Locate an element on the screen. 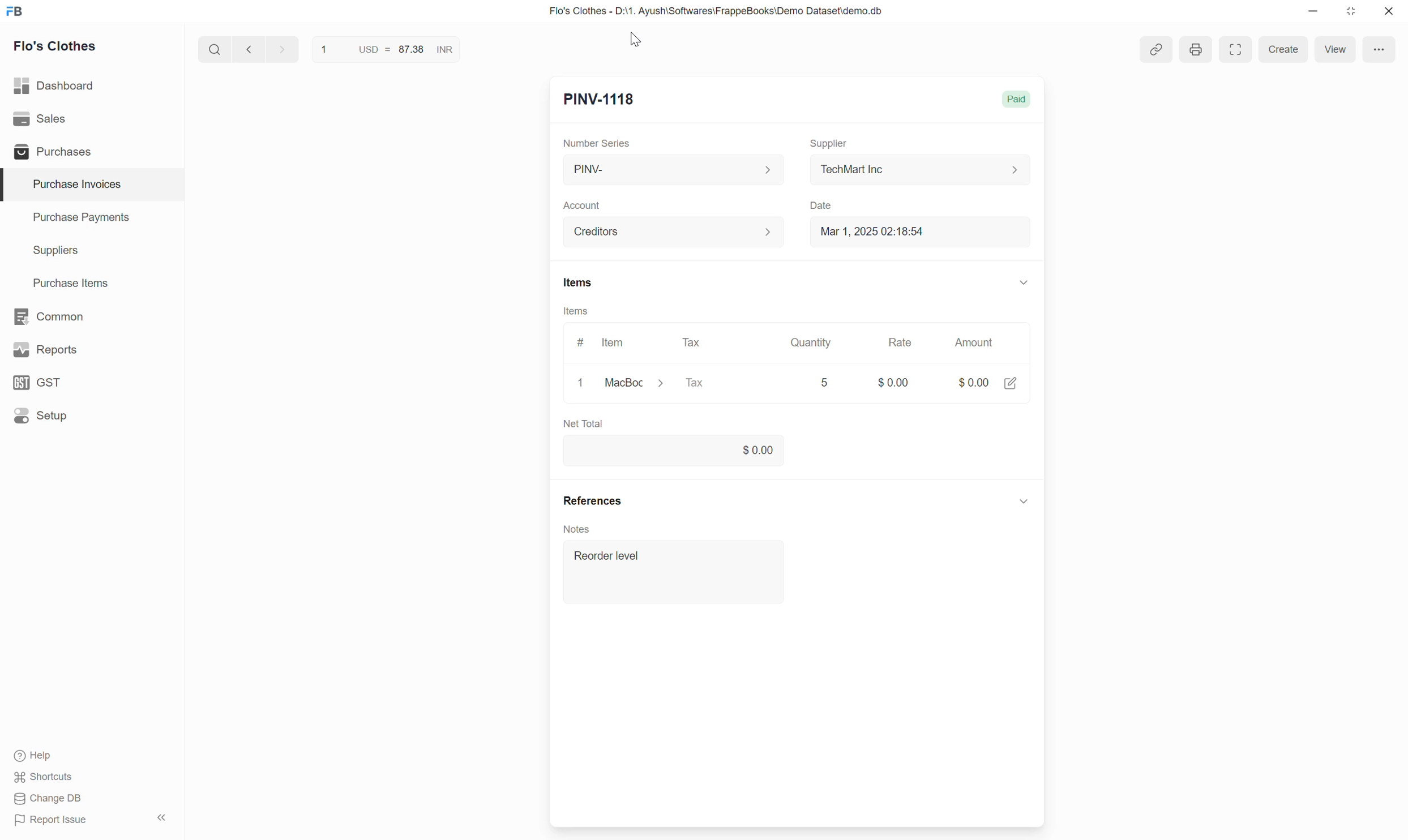 Image resolution: width=1408 pixels, height=840 pixels. 1 USD = 87.38 INR is located at coordinates (385, 49).